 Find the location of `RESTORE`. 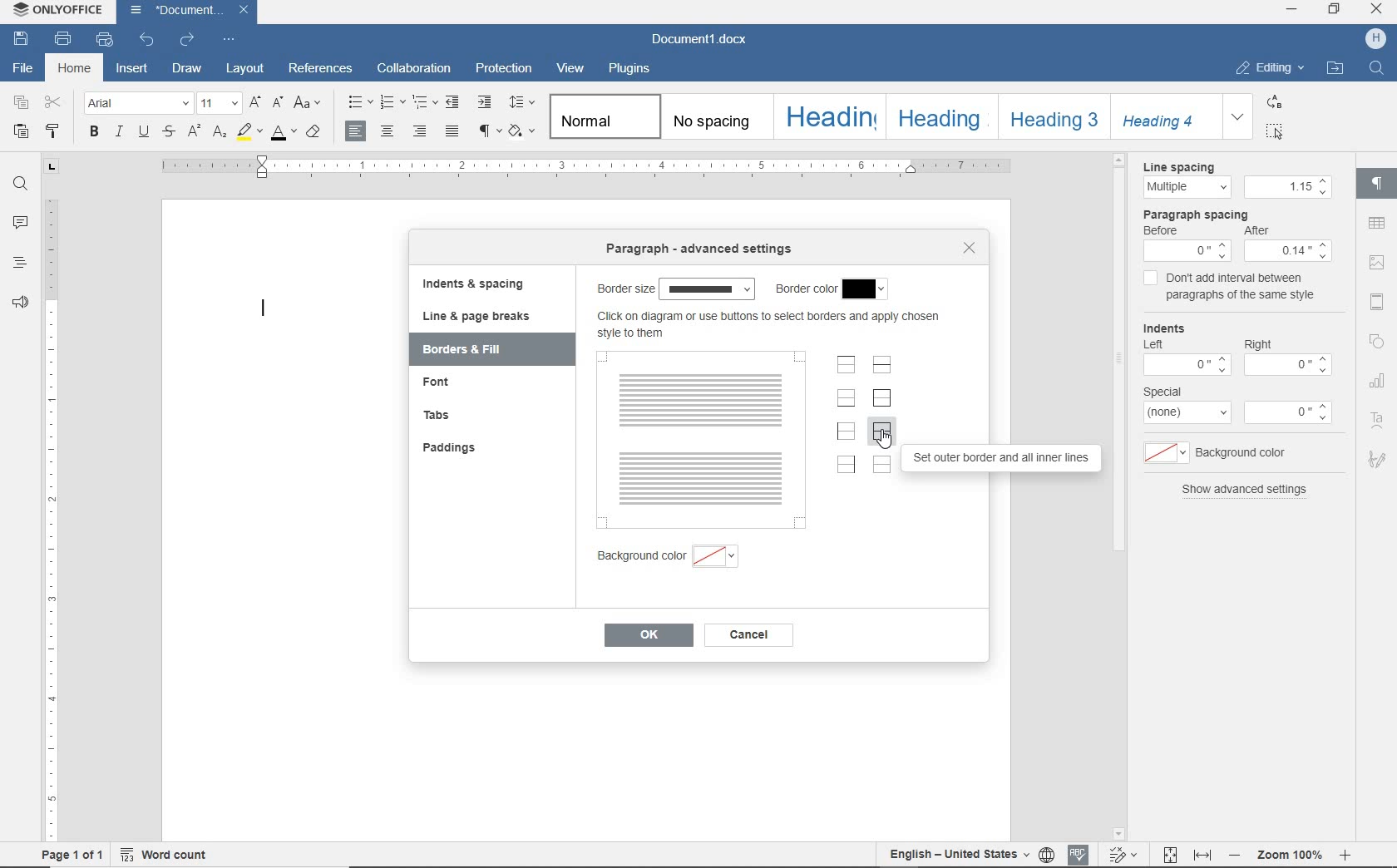

RESTORE is located at coordinates (1335, 11).